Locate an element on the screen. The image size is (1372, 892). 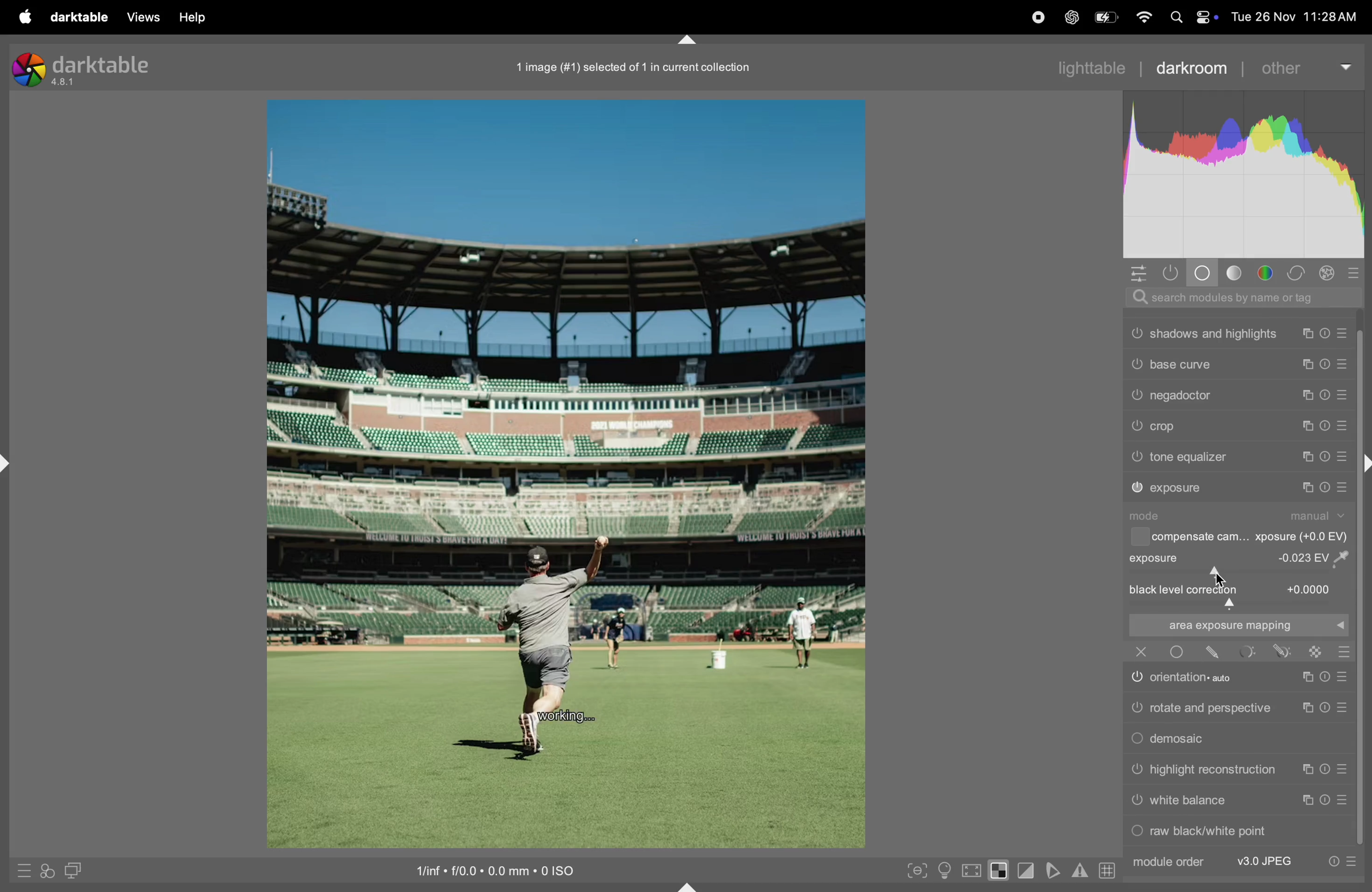
rotate and perspective is located at coordinates (1211, 707).